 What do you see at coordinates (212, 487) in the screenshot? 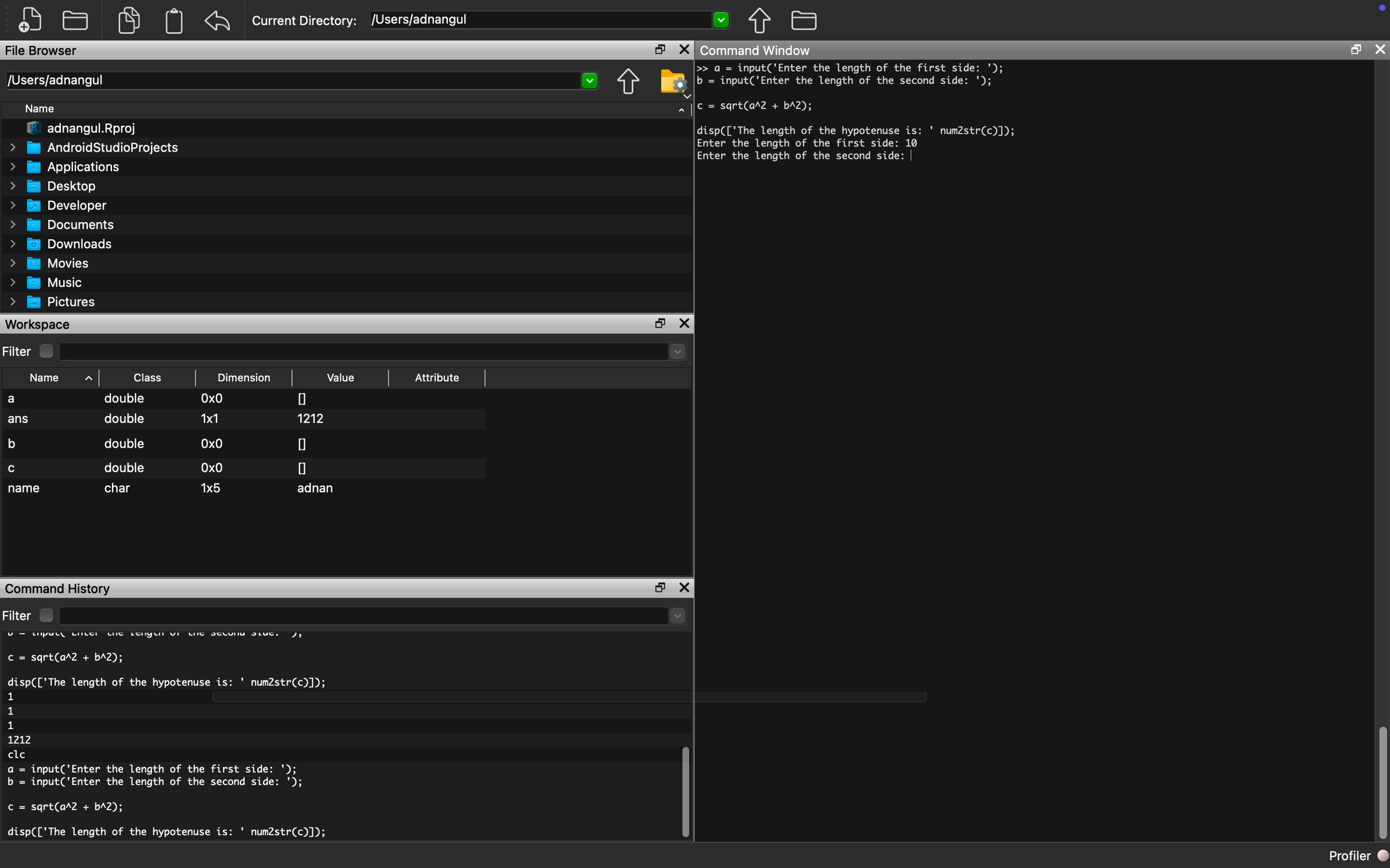
I see `1x5` at bounding box center [212, 487].